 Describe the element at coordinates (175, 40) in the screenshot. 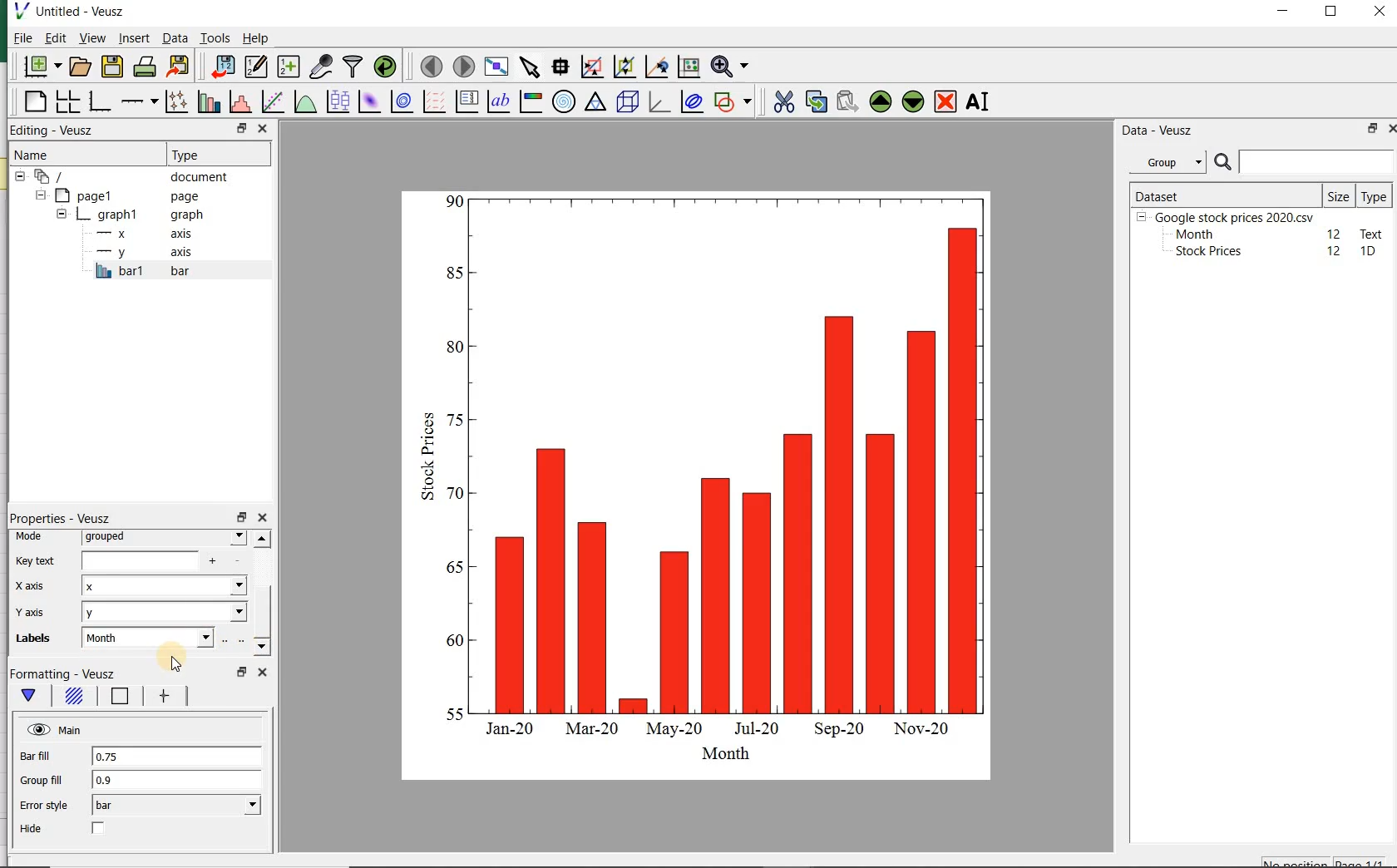

I see `Data` at that location.